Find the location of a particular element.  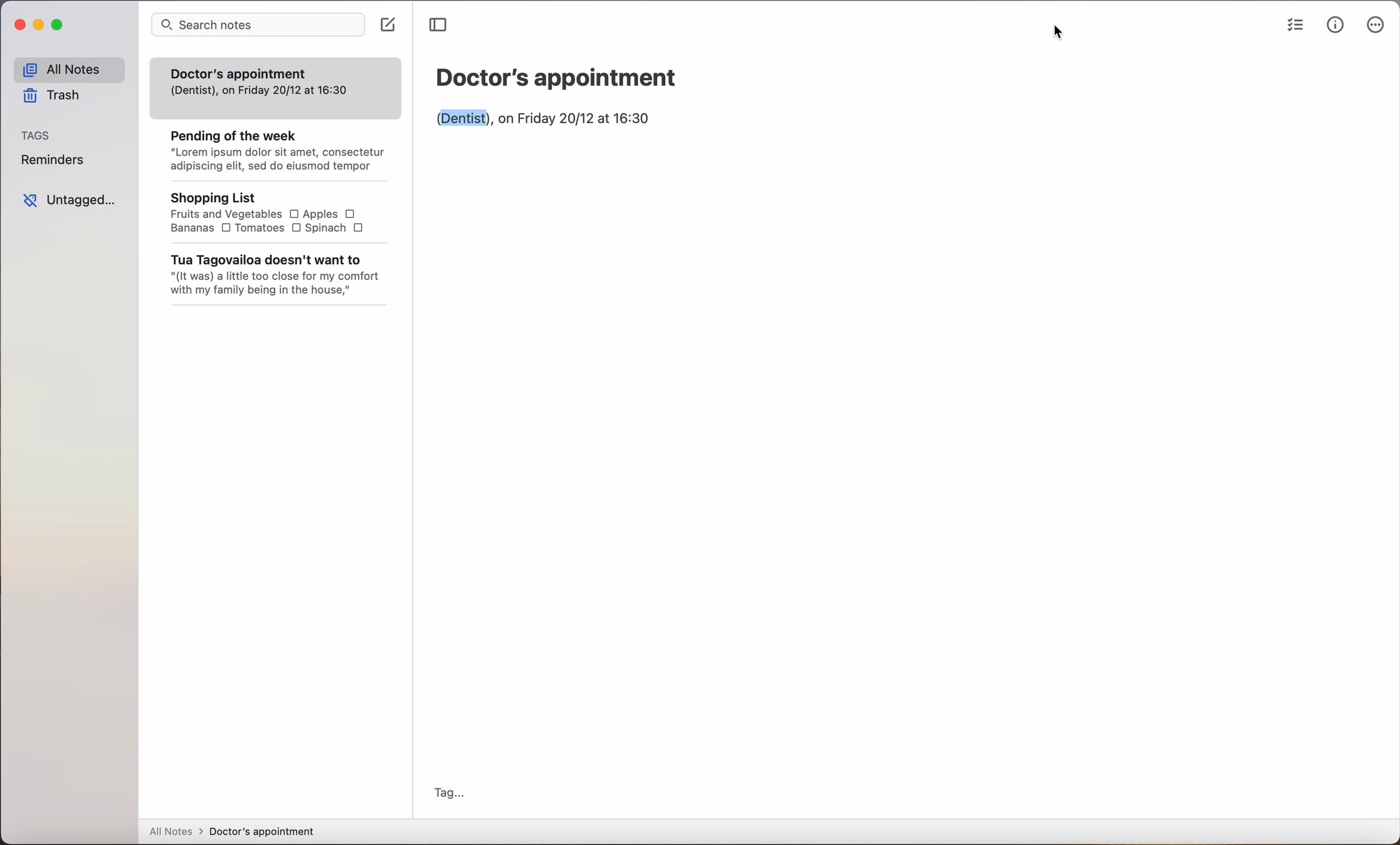

Tua Tagovailoa doesn't want to
"(It was) a little too close for my comfort
with my family being in the house," is located at coordinates (273, 275).